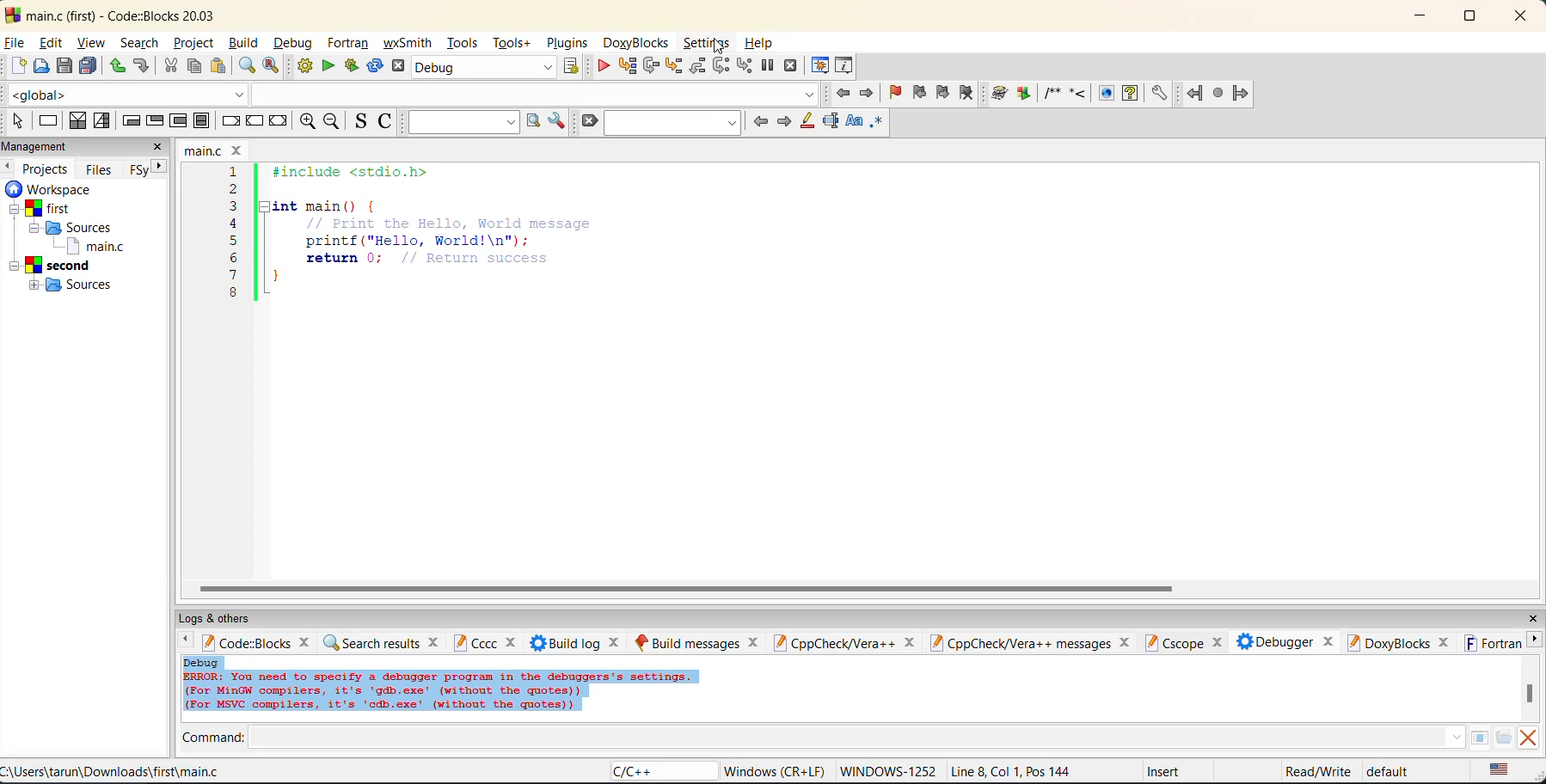 Image resolution: width=1546 pixels, height=784 pixels. Describe the element at coordinates (602, 67) in the screenshot. I see `debug/continue` at that location.